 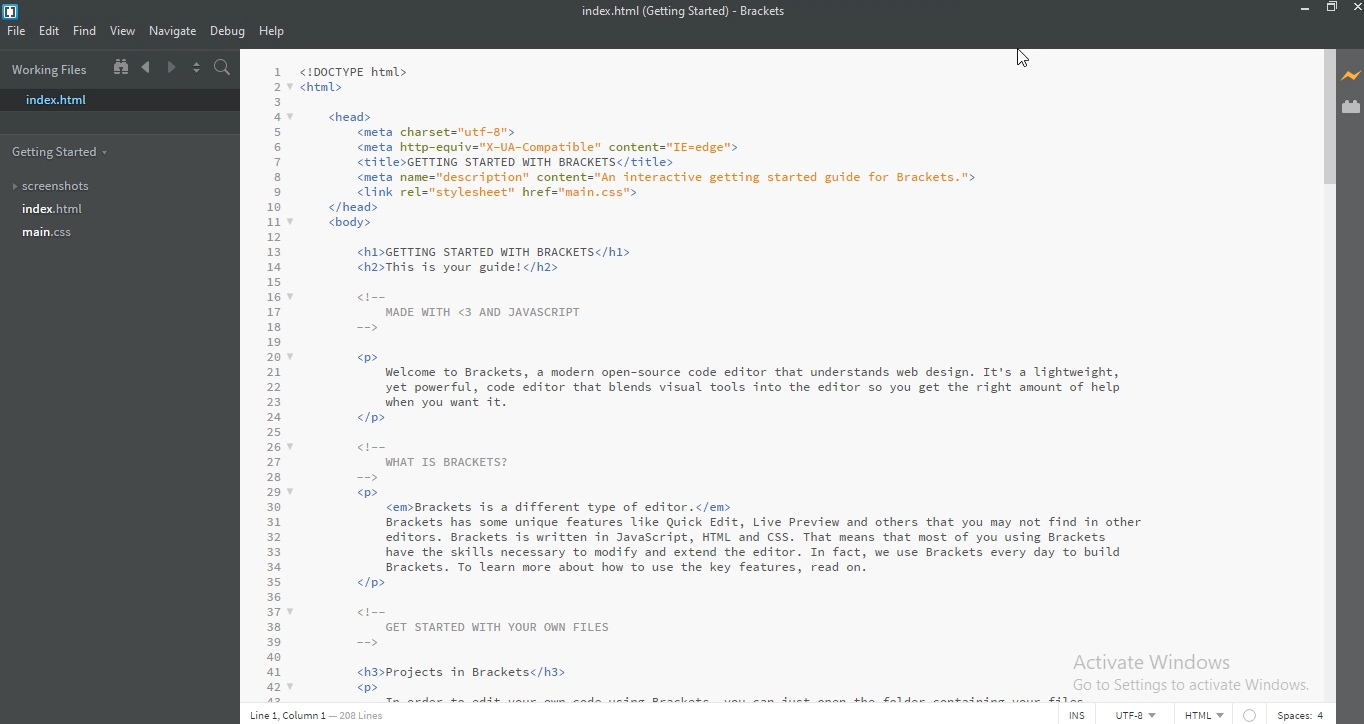 What do you see at coordinates (1136, 716) in the screenshot?
I see `UTF-8` at bounding box center [1136, 716].